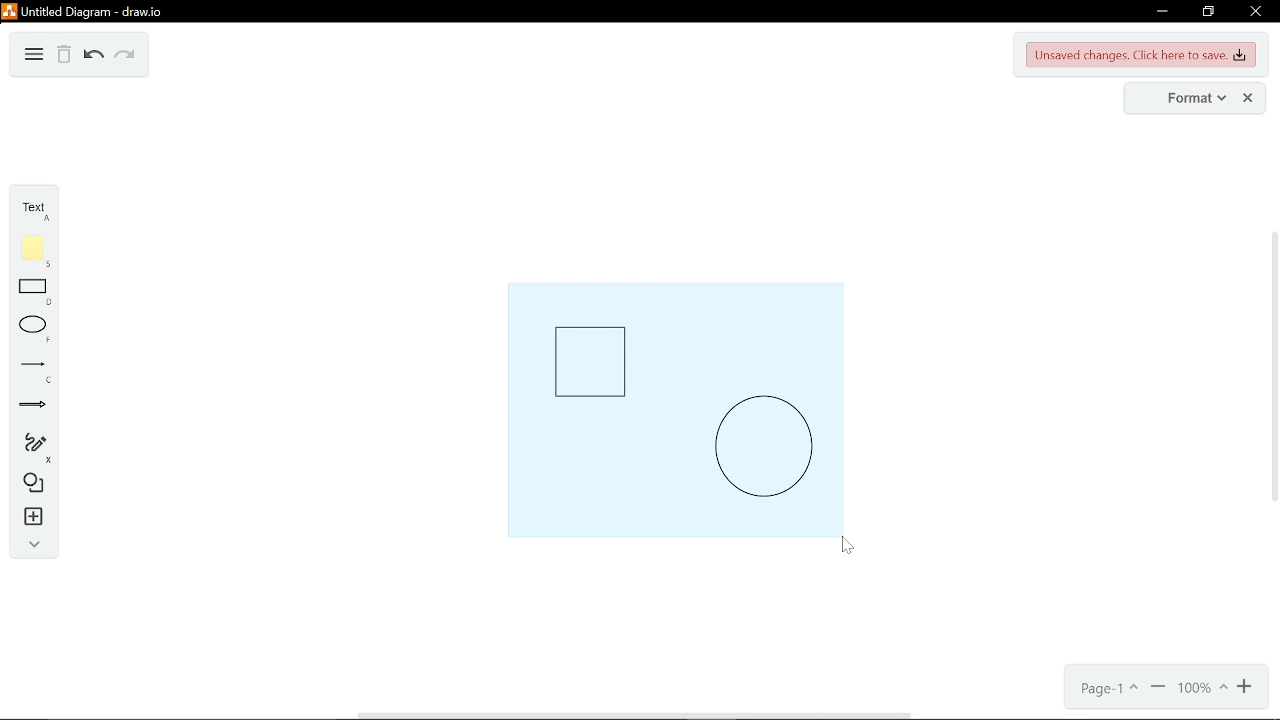  What do you see at coordinates (1203, 689) in the screenshot?
I see `current zoom` at bounding box center [1203, 689].